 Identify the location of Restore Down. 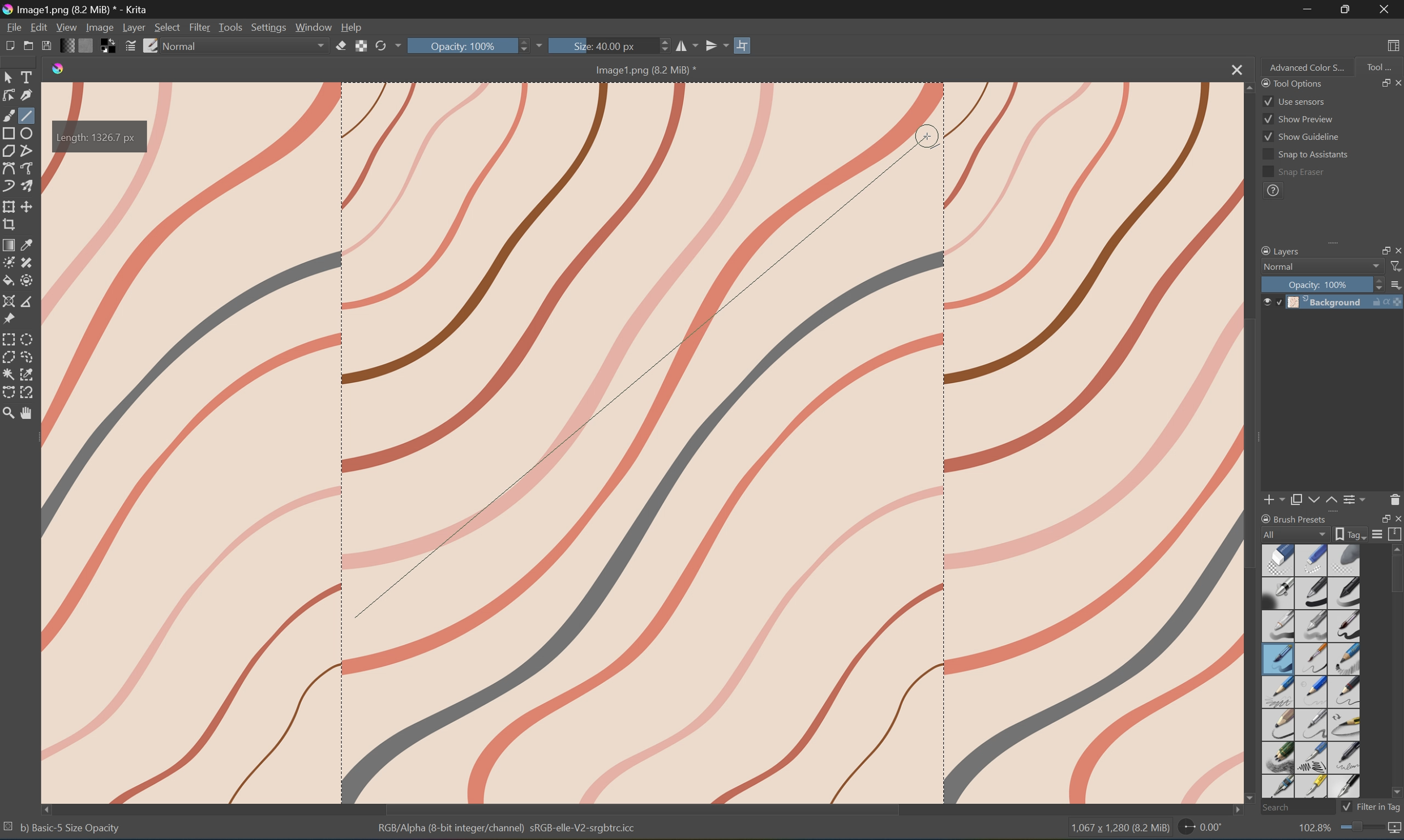
(1379, 83).